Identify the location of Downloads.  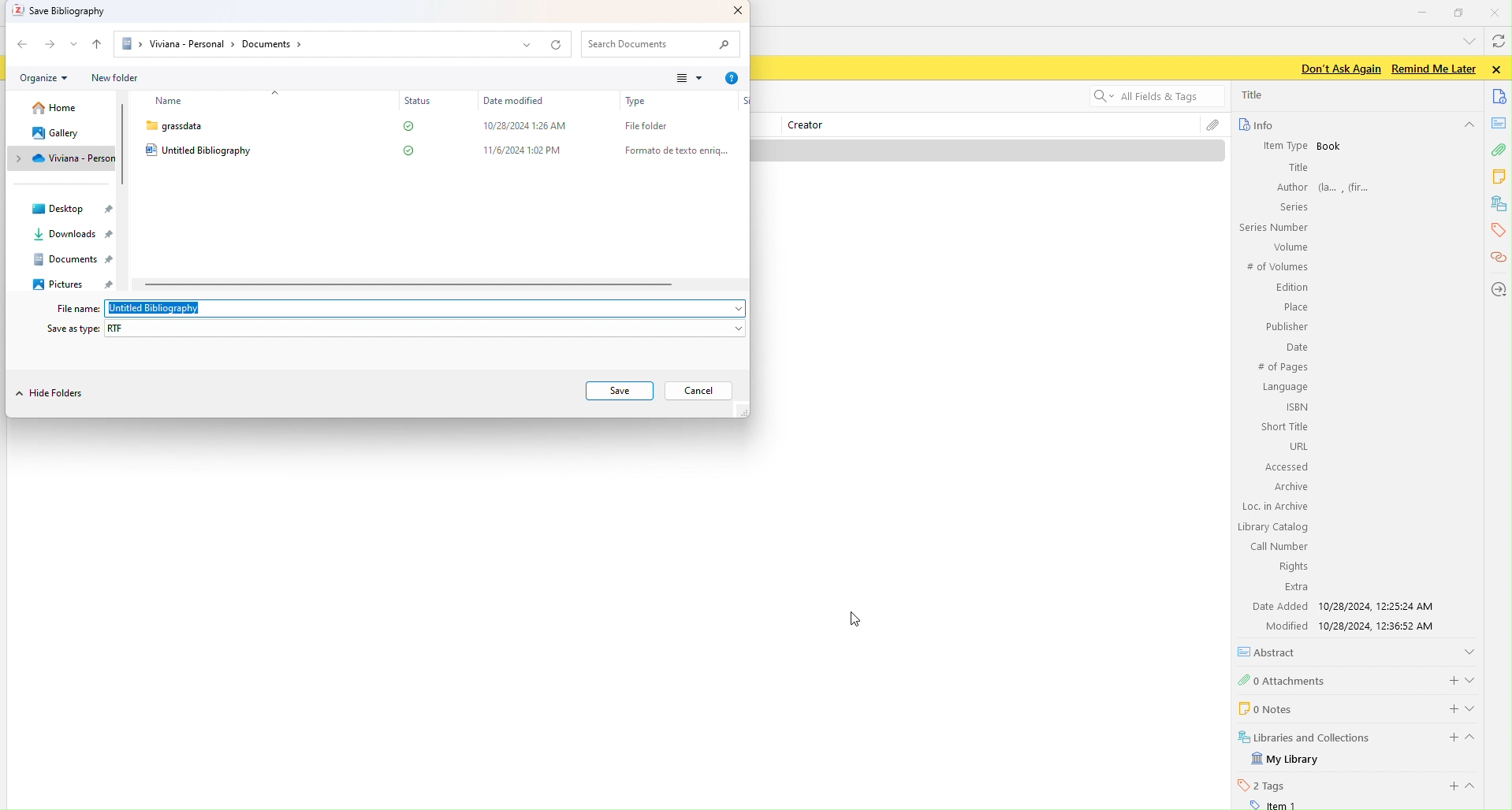
(65, 237).